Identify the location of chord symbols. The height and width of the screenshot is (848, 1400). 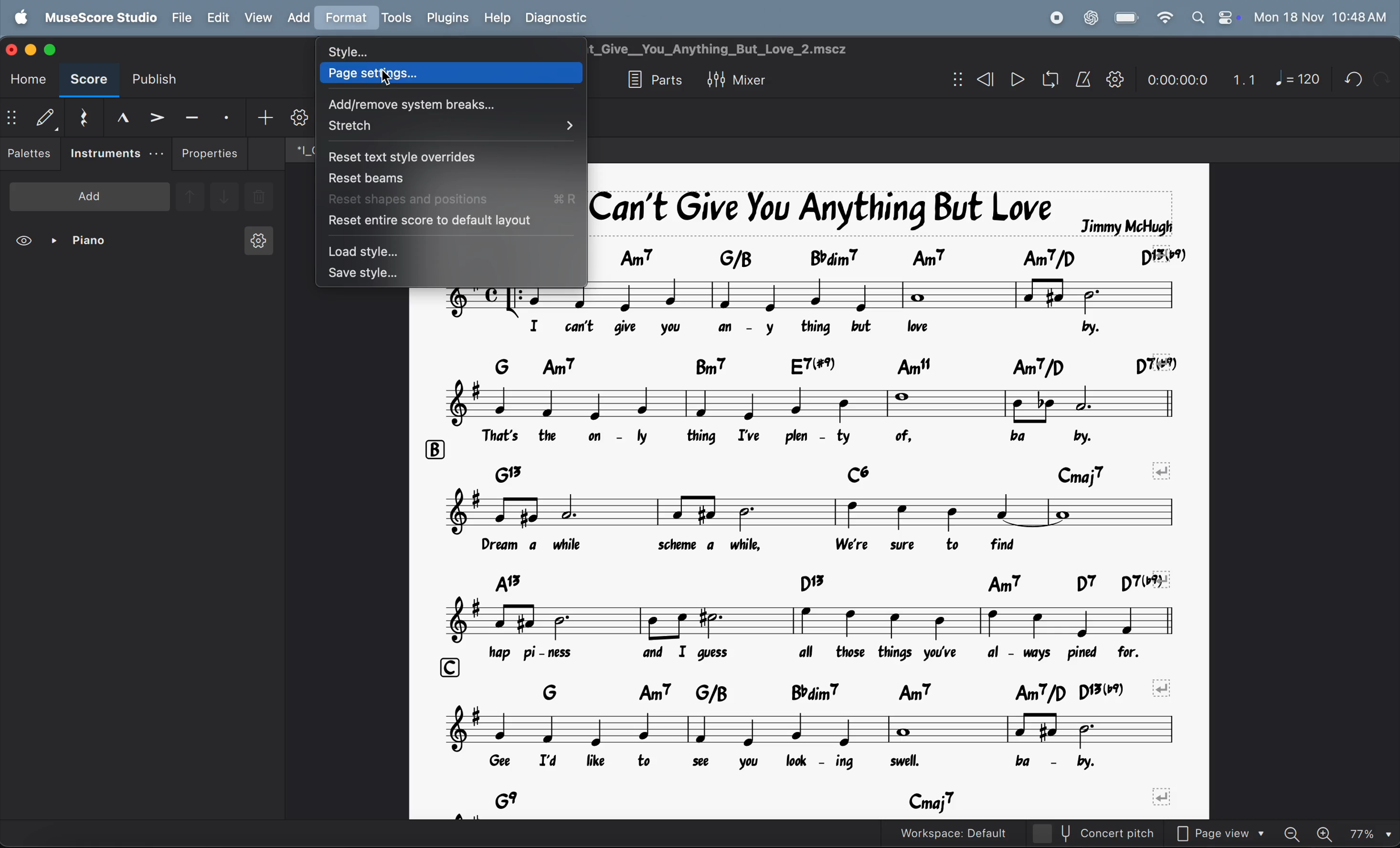
(831, 365).